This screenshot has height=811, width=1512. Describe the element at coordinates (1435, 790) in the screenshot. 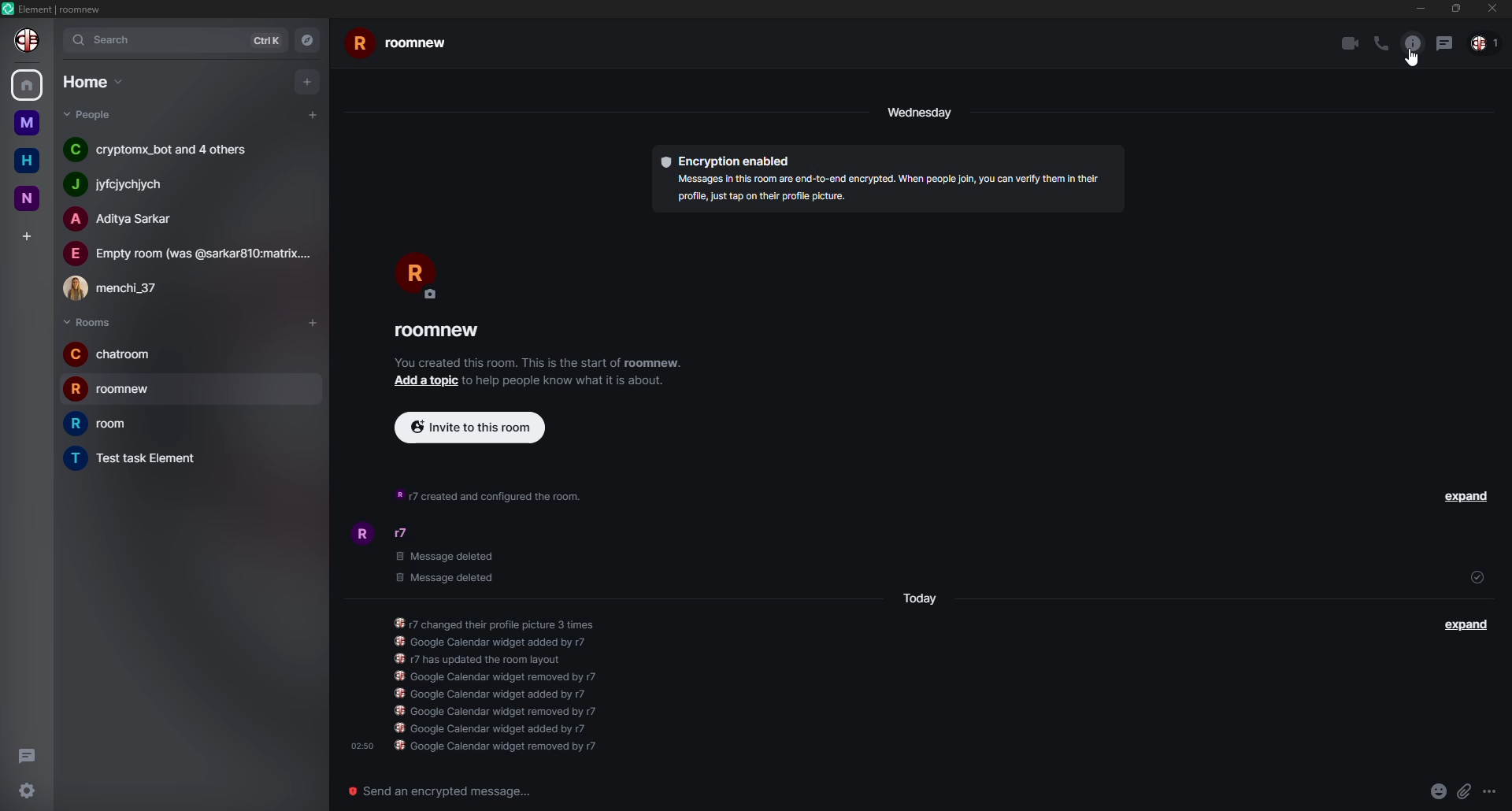

I see `emoji` at that location.